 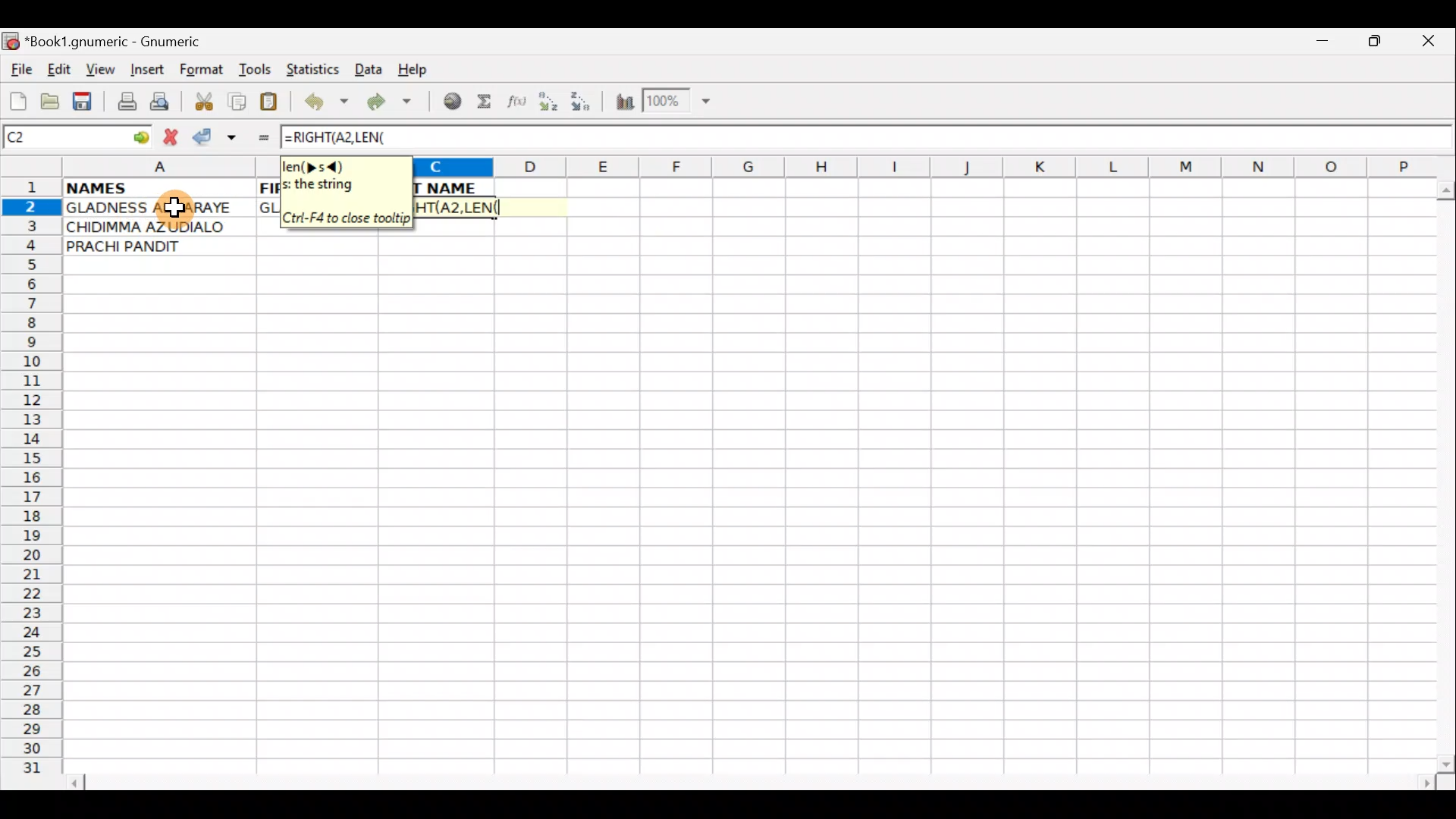 What do you see at coordinates (215, 137) in the screenshot?
I see `Accept change` at bounding box center [215, 137].